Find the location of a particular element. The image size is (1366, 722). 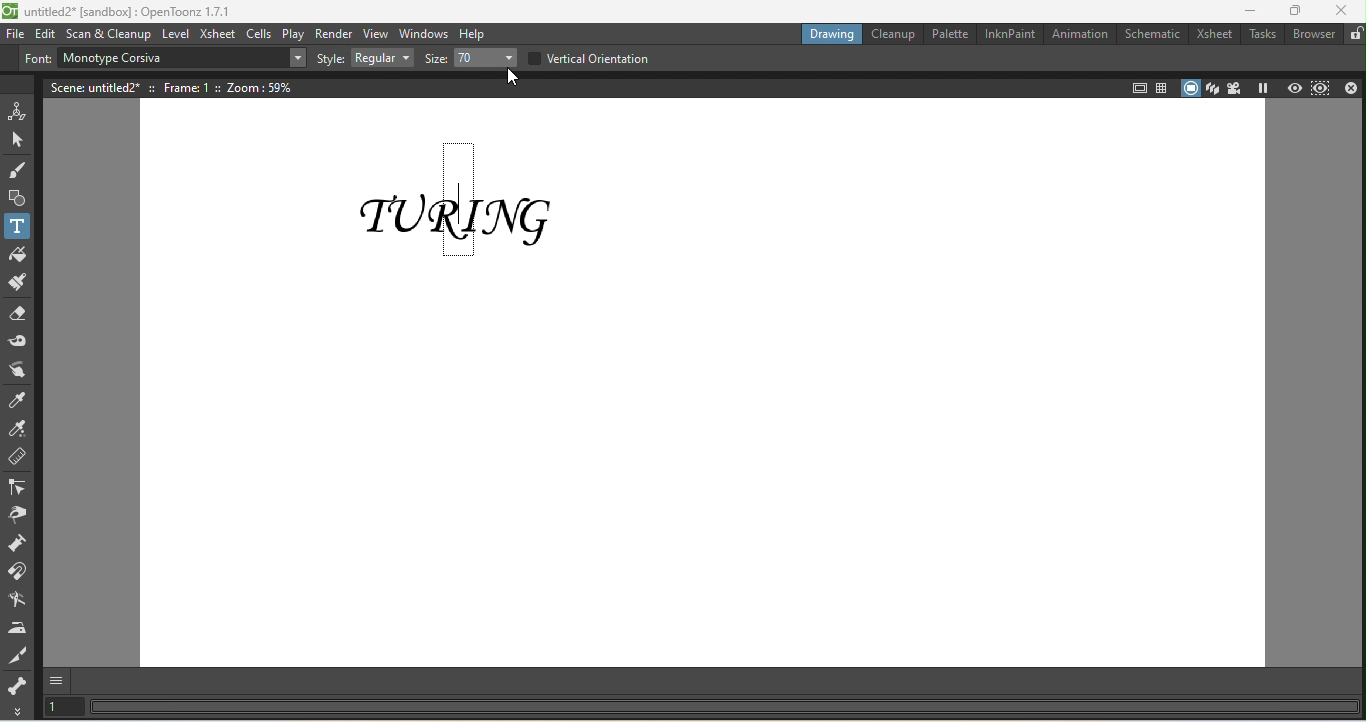

Field guide is located at coordinates (1163, 87).